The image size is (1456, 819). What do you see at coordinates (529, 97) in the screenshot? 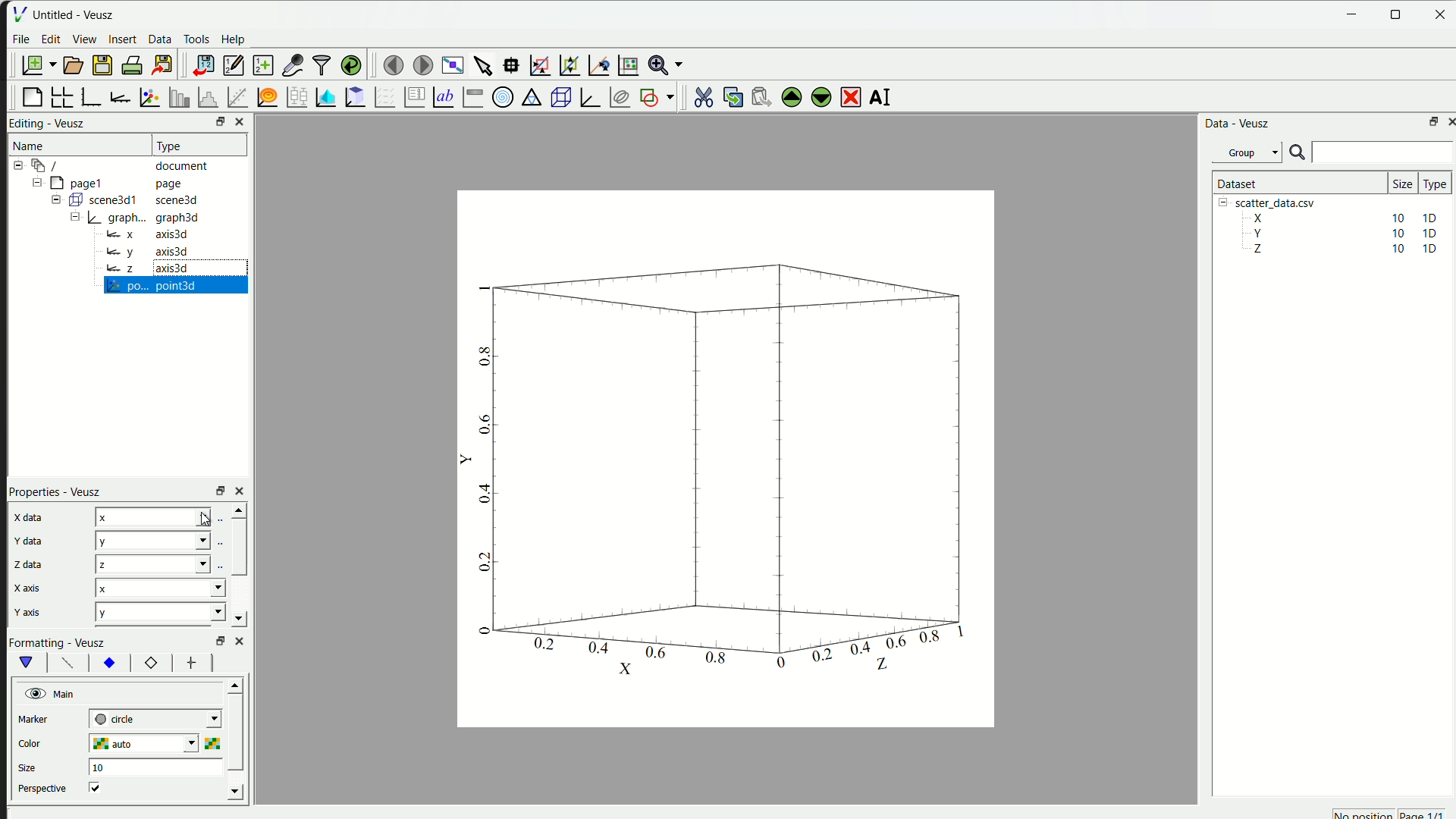
I see `Ternary Graph` at bounding box center [529, 97].